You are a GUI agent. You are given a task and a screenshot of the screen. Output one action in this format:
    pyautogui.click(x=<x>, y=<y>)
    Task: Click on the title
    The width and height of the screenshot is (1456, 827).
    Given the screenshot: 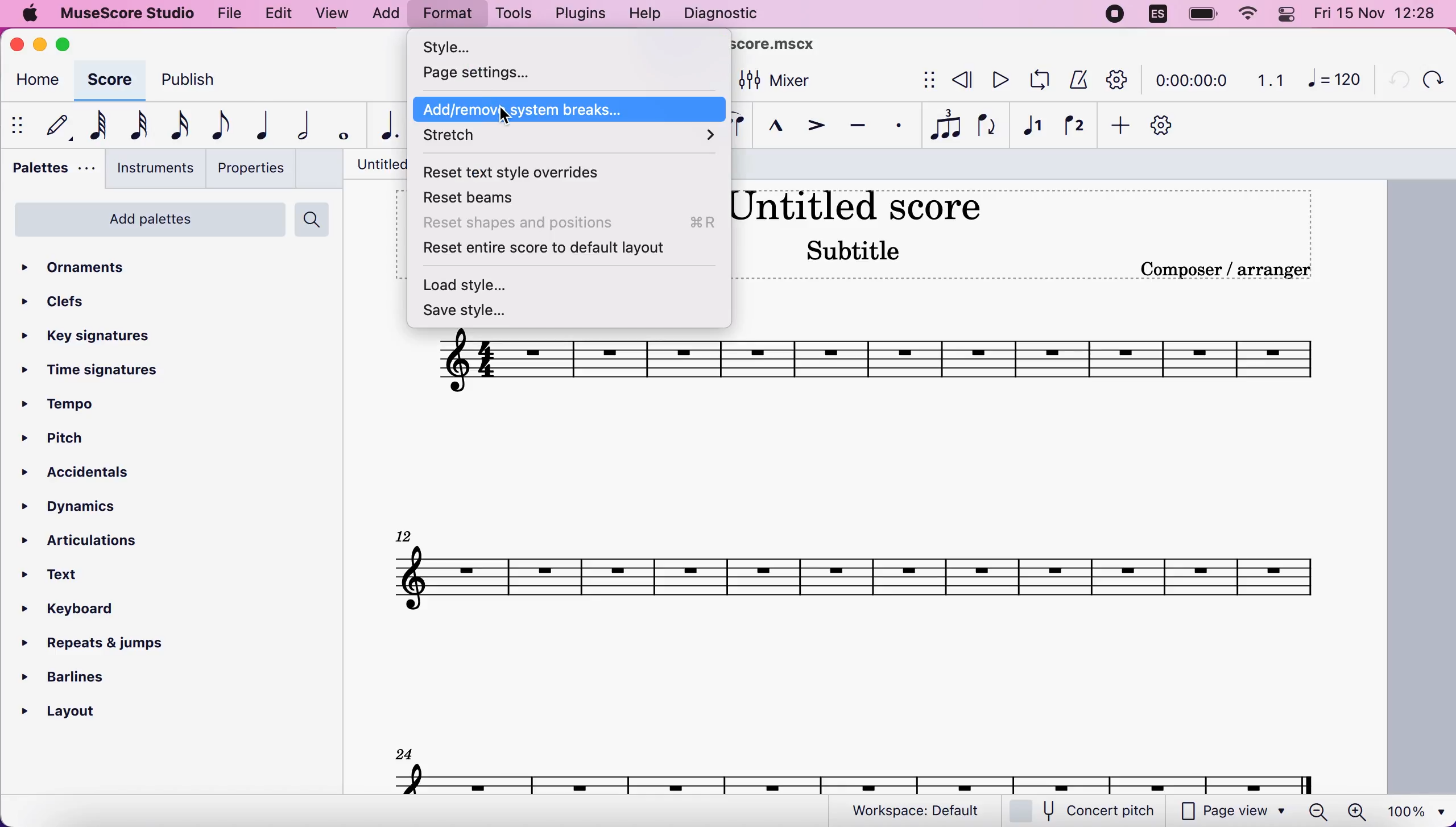 What is the action you would take?
    pyautogui.click(x=856, y=204)
    